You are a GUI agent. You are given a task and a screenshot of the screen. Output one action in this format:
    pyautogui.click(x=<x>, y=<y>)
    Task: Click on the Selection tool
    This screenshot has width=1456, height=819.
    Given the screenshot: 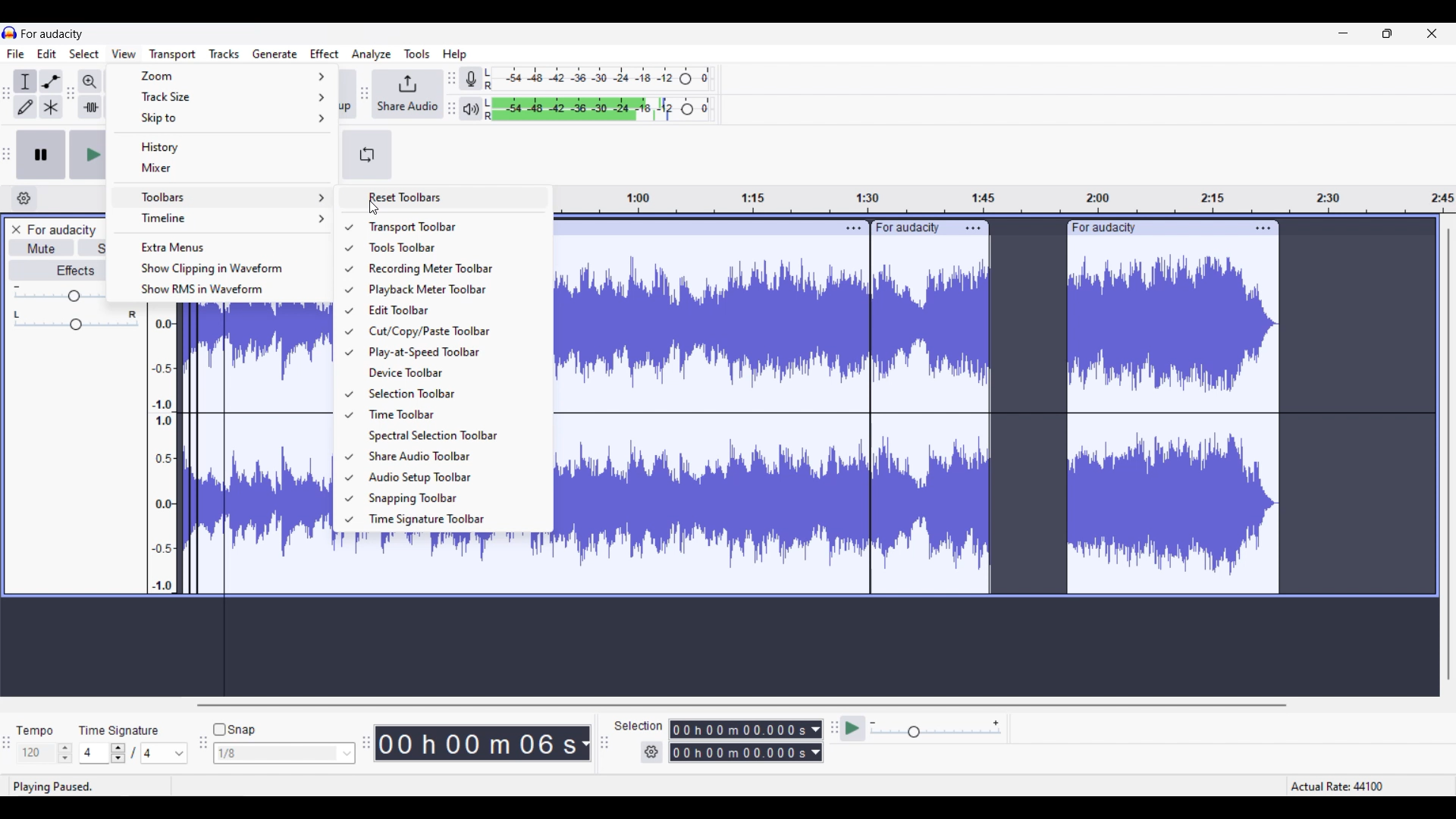 What is the action you would take?
    pyautogui.click(x=25, y=81)
    